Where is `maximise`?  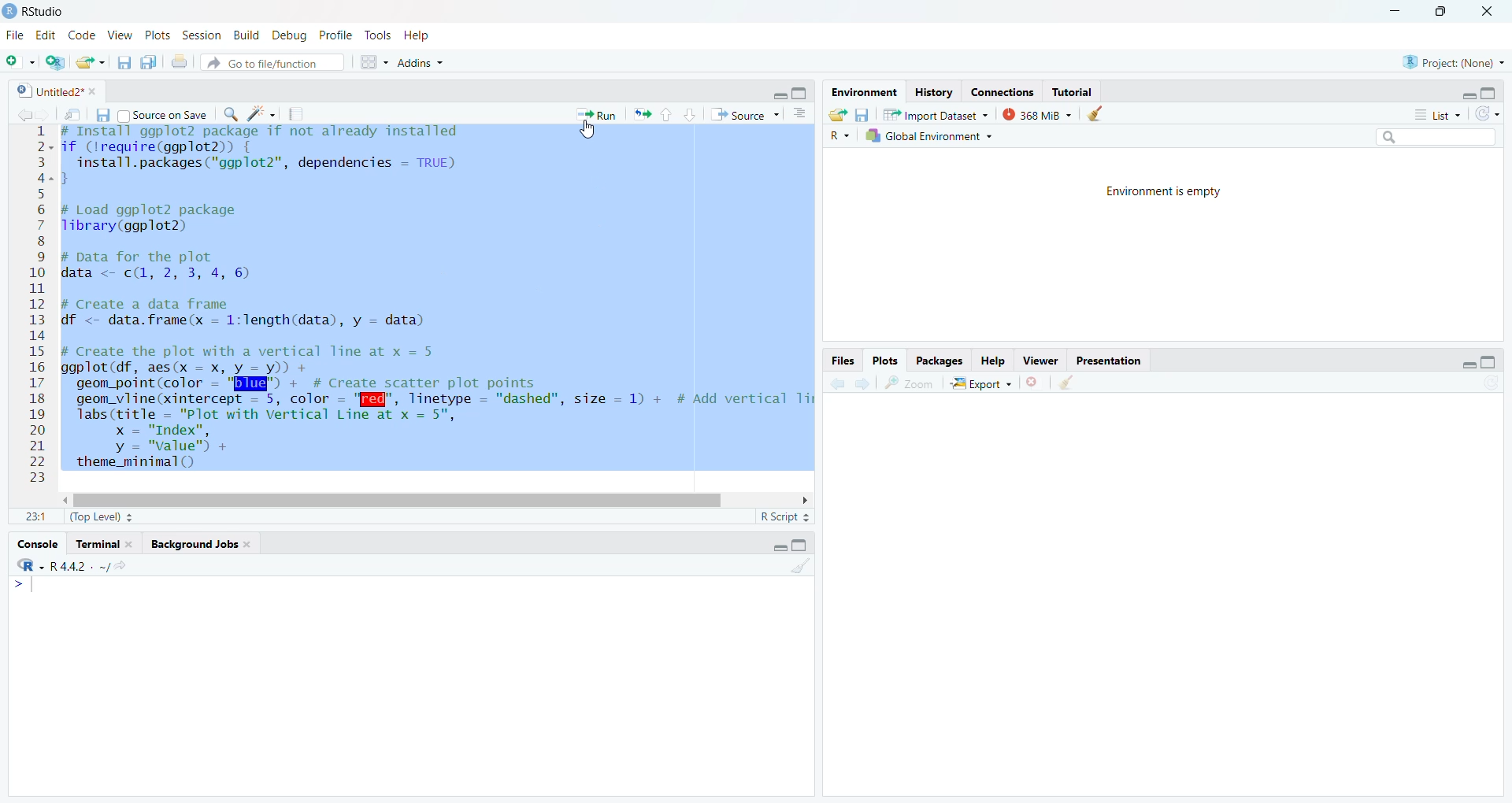 maximise is located at coordinates (802, 92).